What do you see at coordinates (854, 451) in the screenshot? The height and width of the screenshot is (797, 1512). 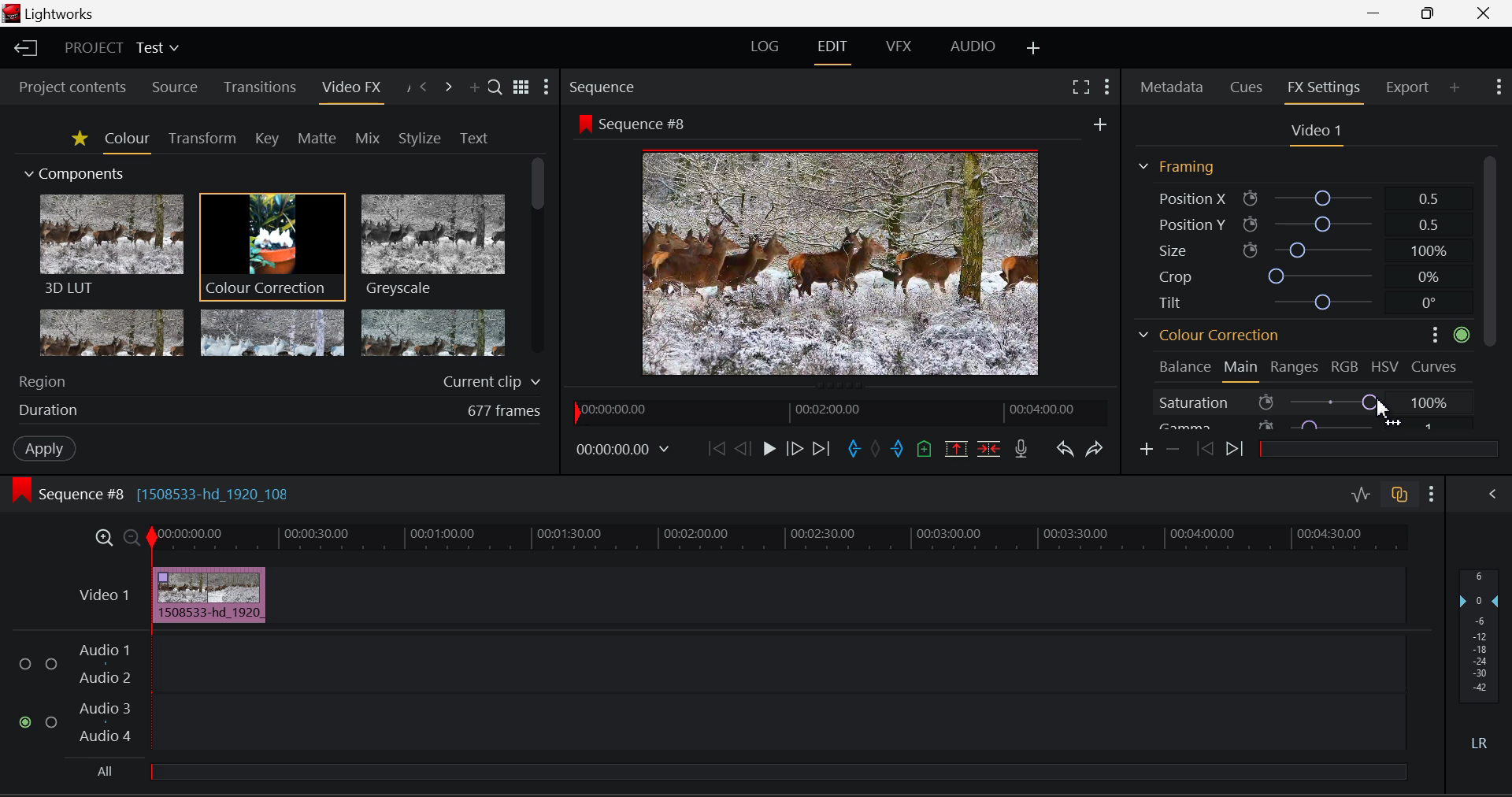 I see `Mark In` at bounding box center [854, 451].